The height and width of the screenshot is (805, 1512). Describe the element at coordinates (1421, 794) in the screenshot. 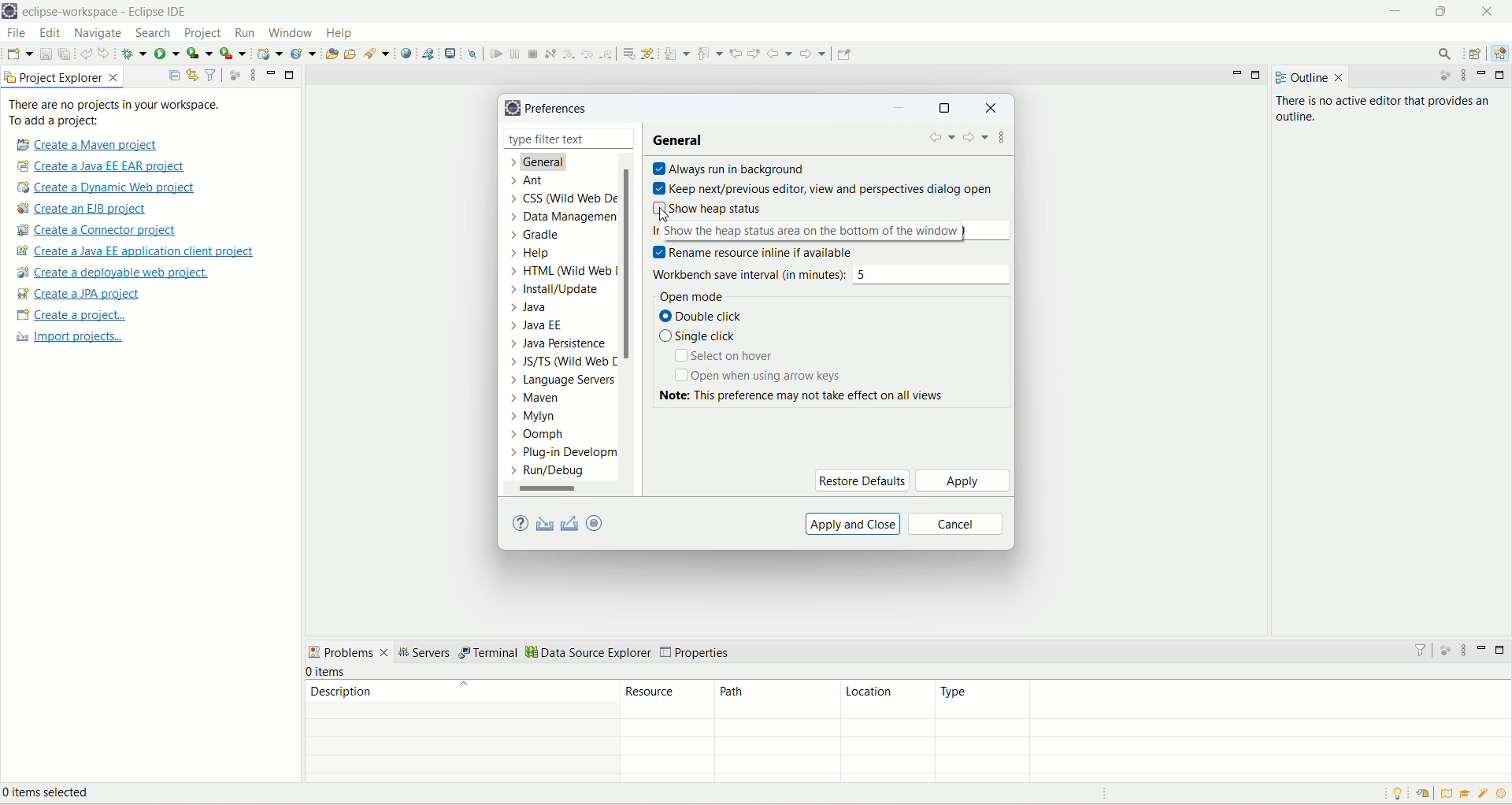

I see `restore welcome` at that location.